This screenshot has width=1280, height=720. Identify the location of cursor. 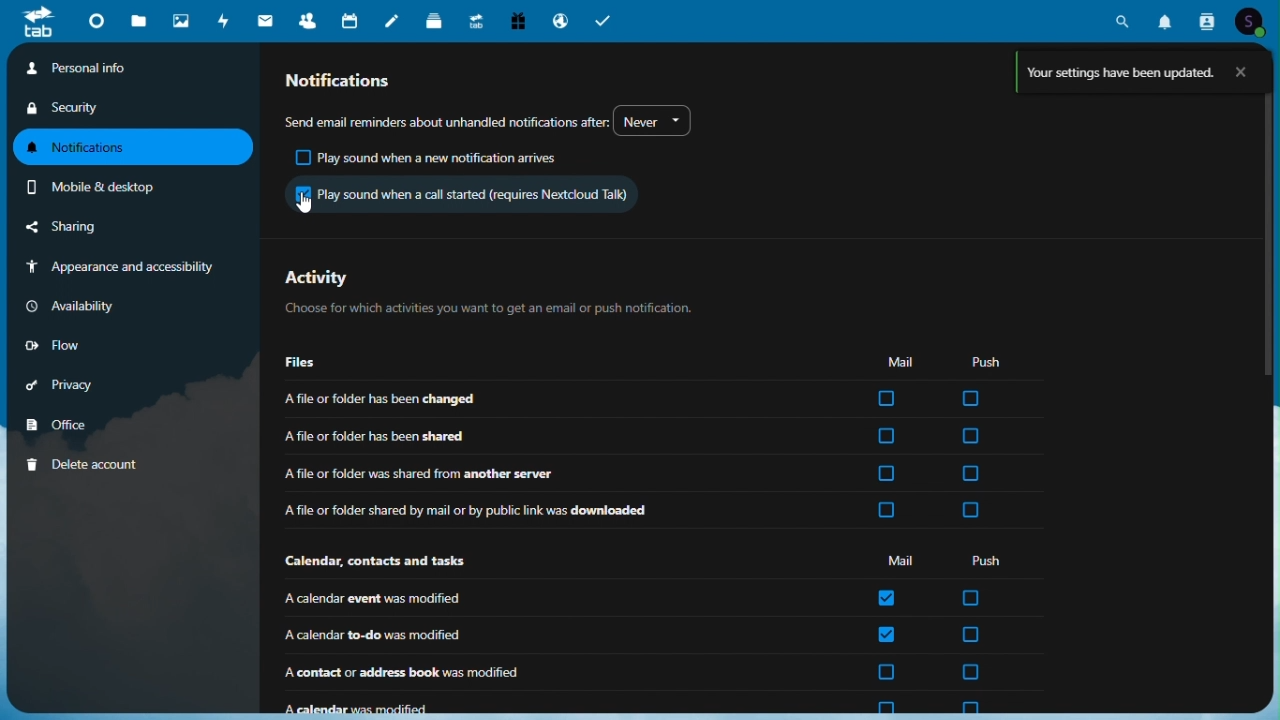
(306, 202).